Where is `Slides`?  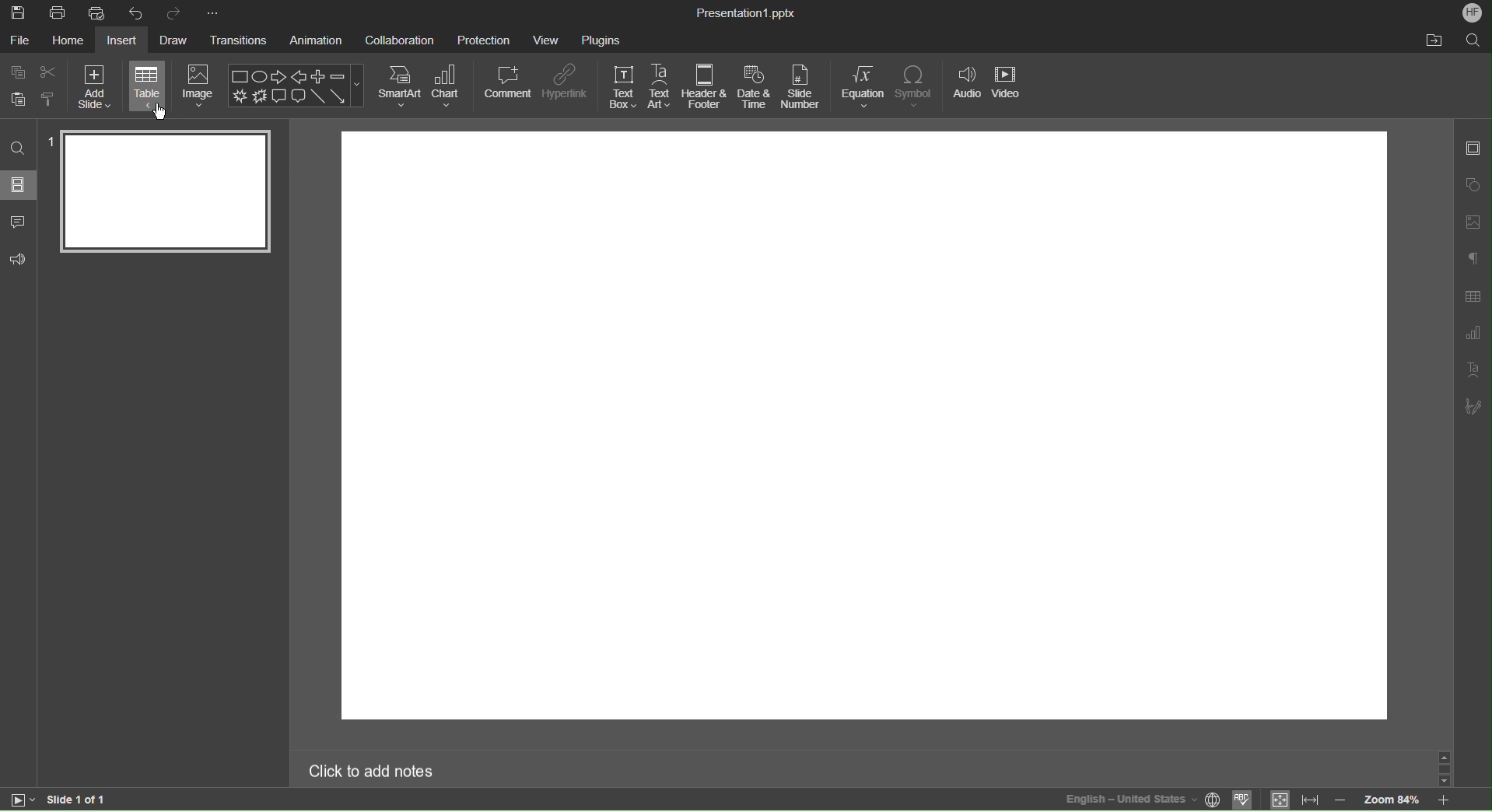 Slides is located at coordinates (19, 186).